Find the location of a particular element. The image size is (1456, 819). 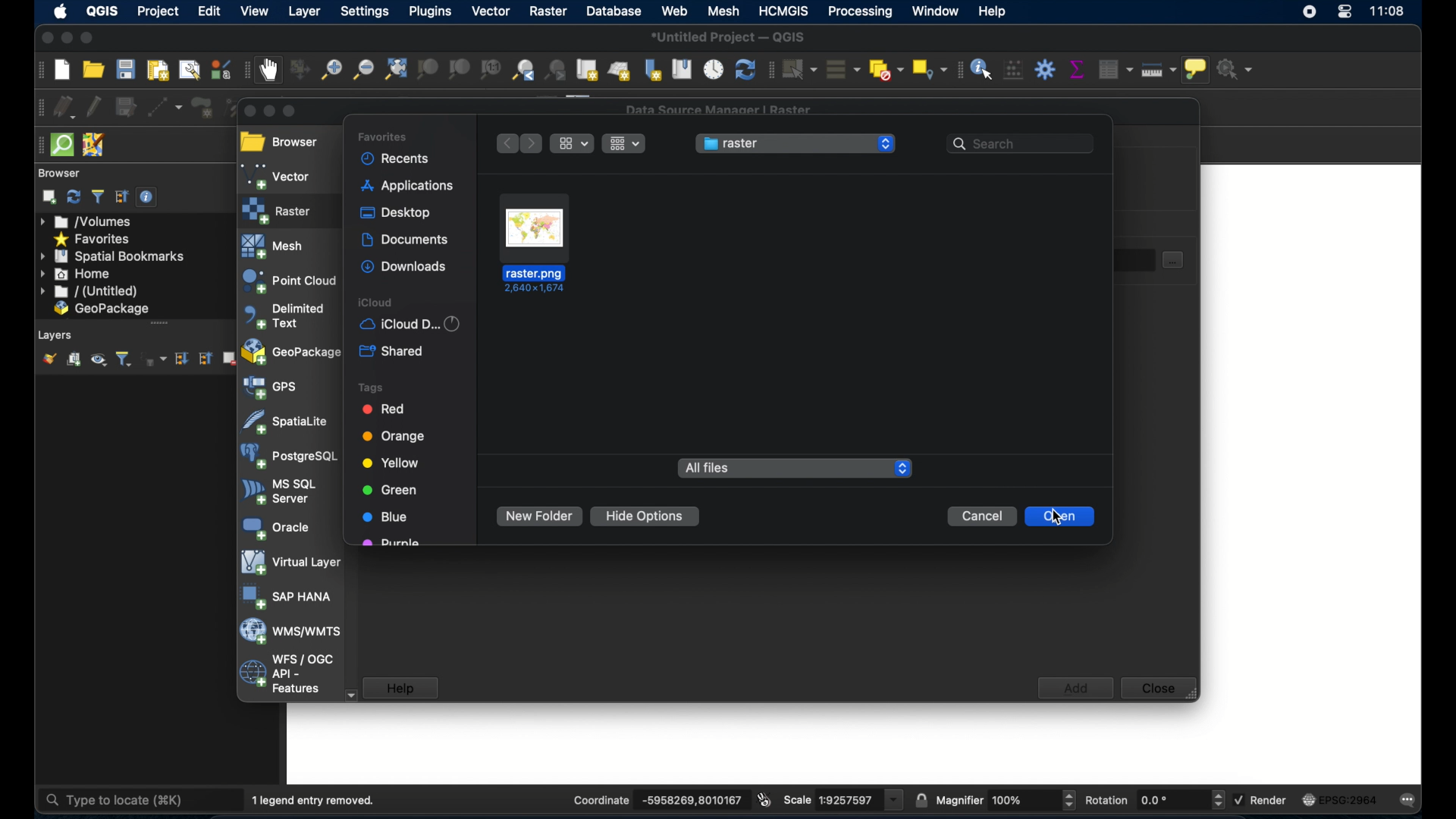

help is located at coordinates (994, 12).